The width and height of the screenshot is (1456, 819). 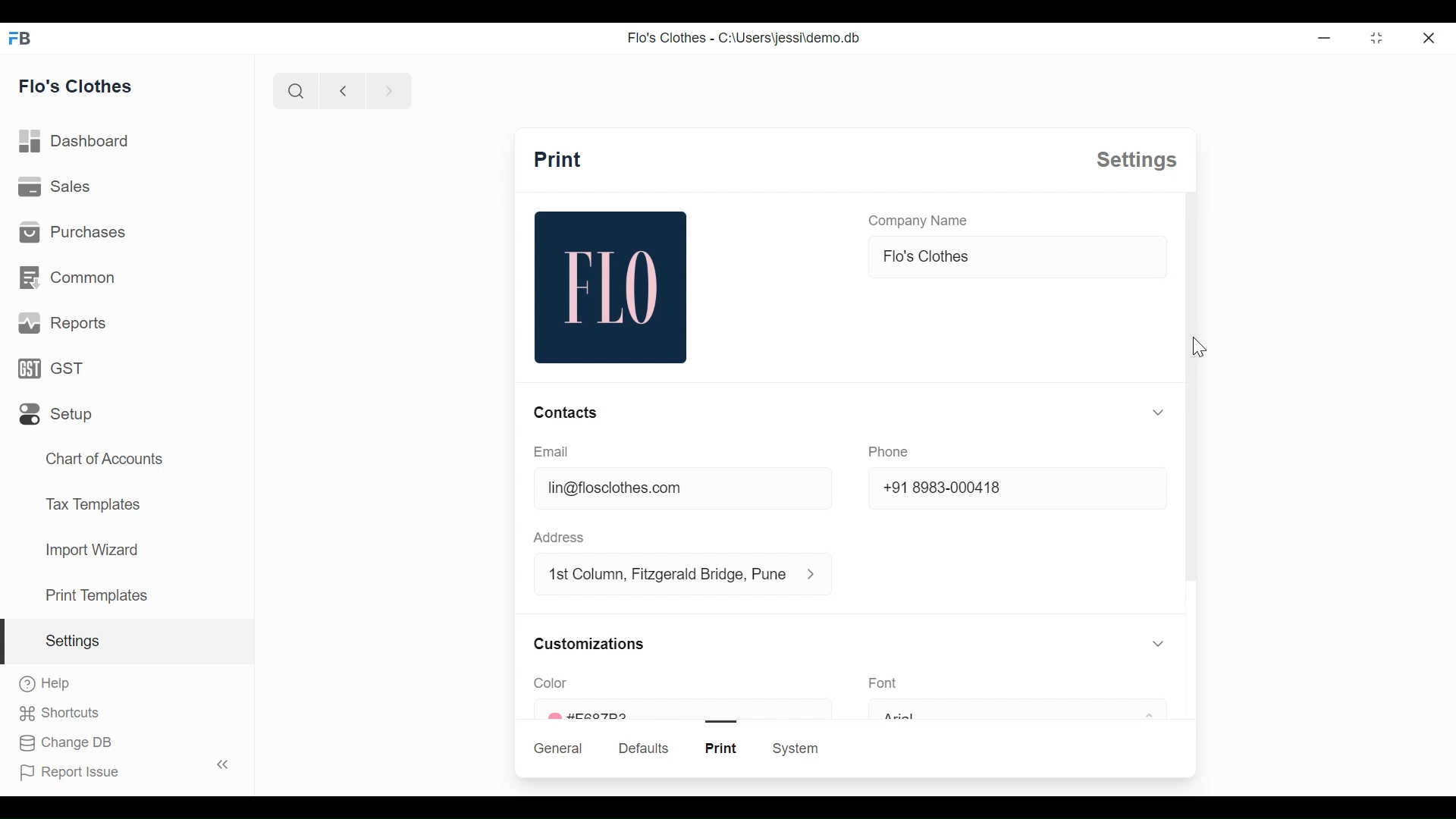 What do you see at coordinates (70, 773) in the screenshot?
I see `report issue` at bounding box center [70, 773].